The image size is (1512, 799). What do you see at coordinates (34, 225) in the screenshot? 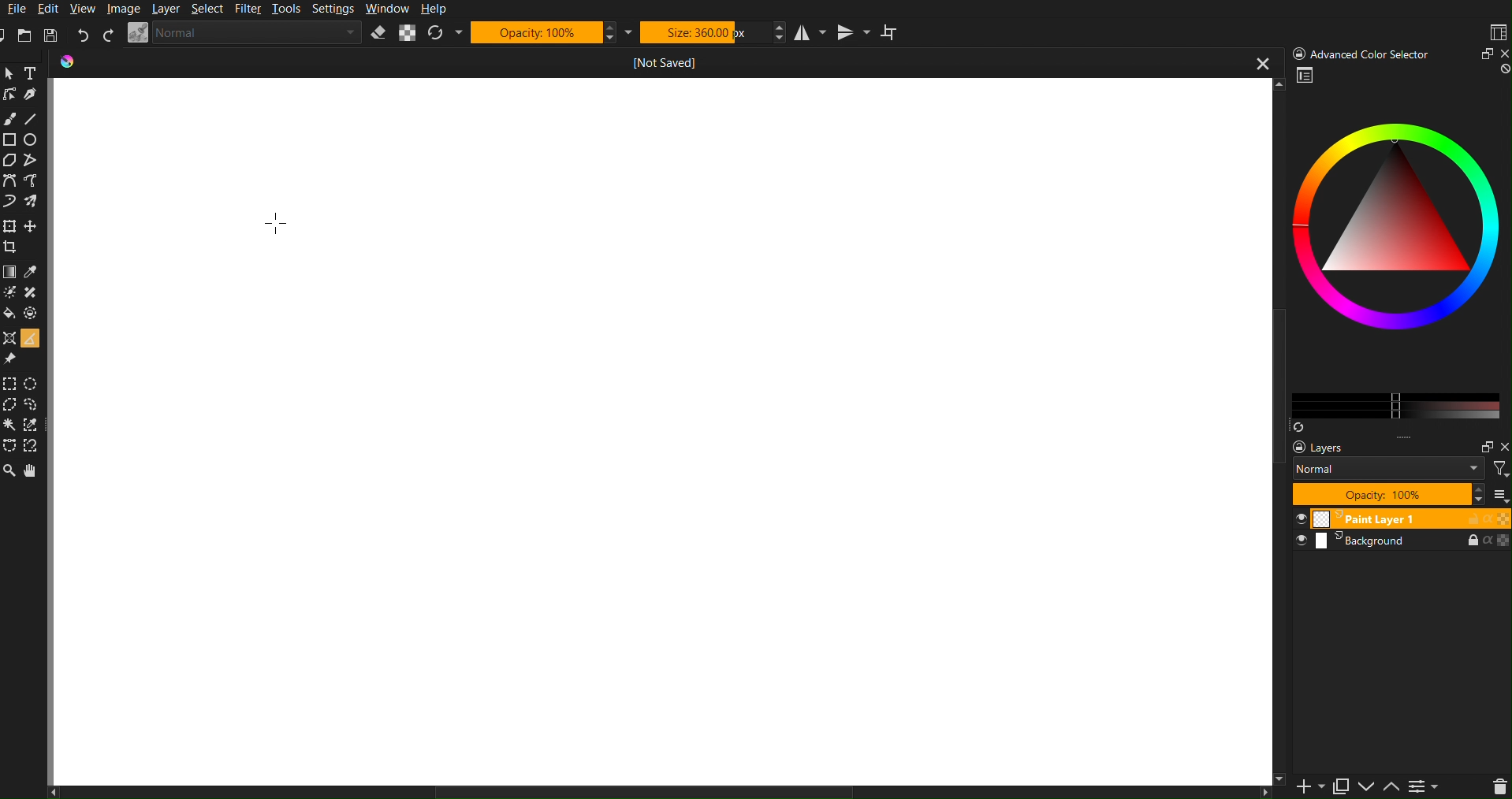
I see `Move` at bounding box center [34, 225].